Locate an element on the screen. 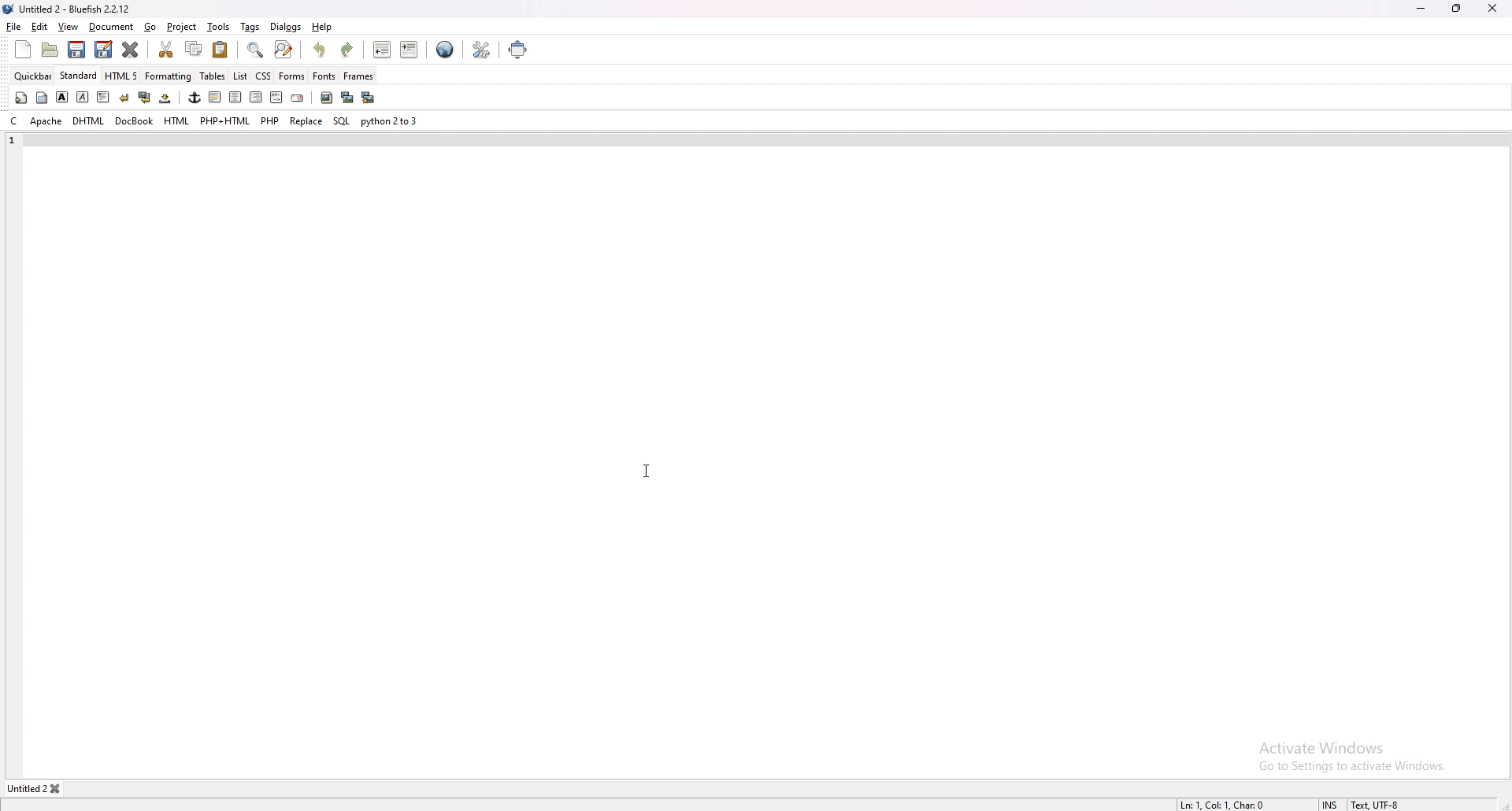 The width and height of the screenshot is (1512, 811). edit is located at coordinates (40, 27).